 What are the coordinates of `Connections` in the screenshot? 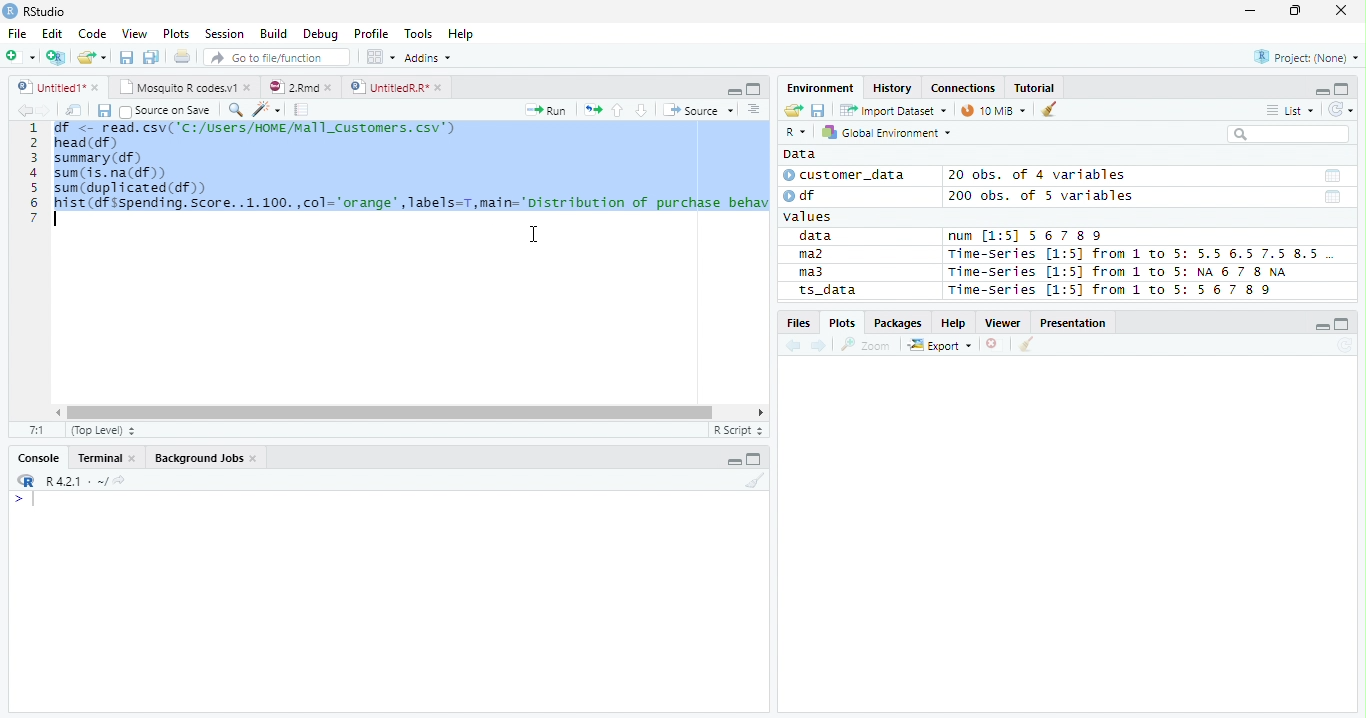 It's located at (963, 88).